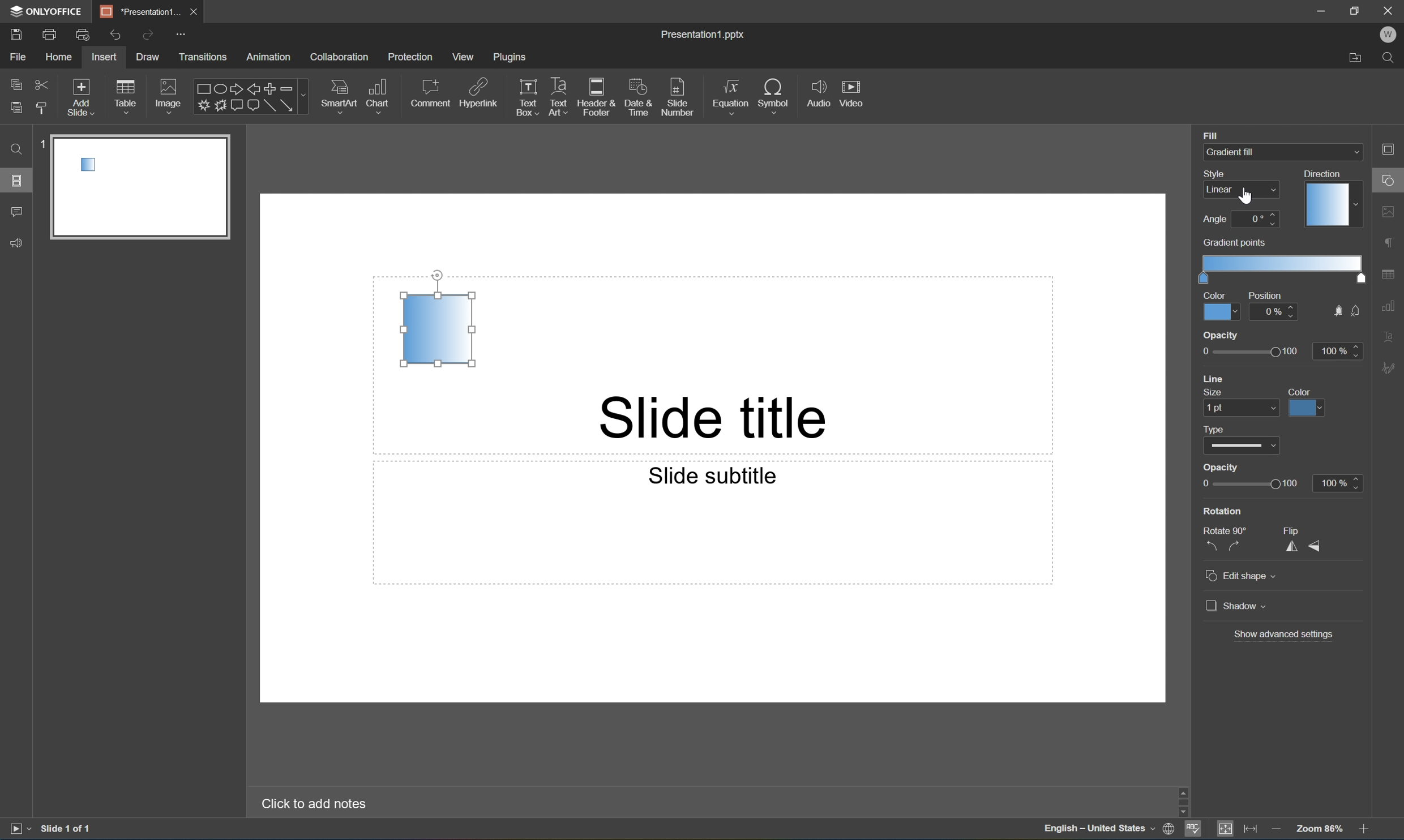  Describe the element at coordinates (510, 57) in the screenshot. I see `Plugins` at that location.